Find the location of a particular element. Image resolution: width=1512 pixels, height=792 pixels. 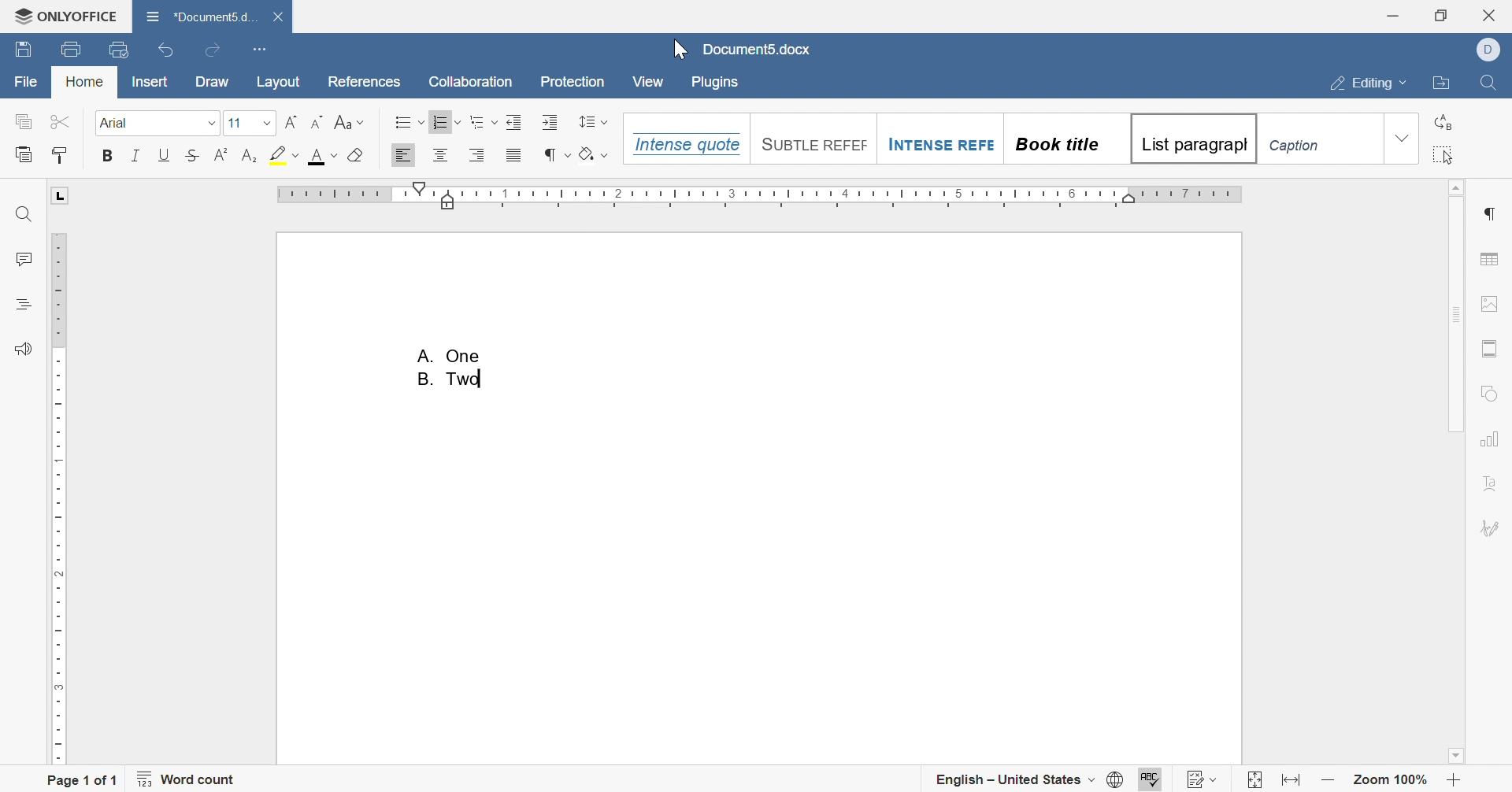

L is located at coordinates (62, 196).